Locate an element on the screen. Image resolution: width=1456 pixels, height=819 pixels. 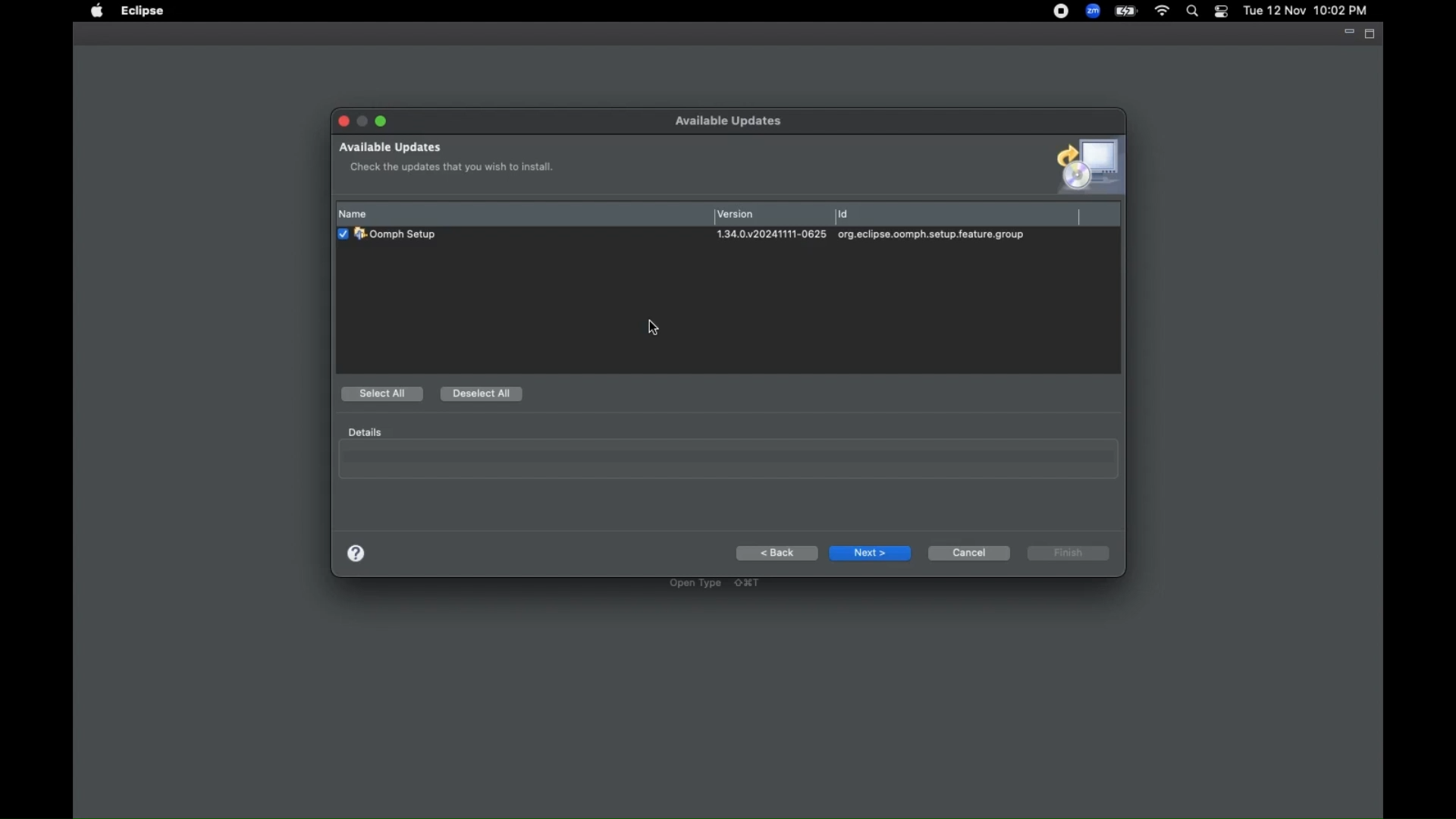
Charge is located at coordinates (1126, 11).